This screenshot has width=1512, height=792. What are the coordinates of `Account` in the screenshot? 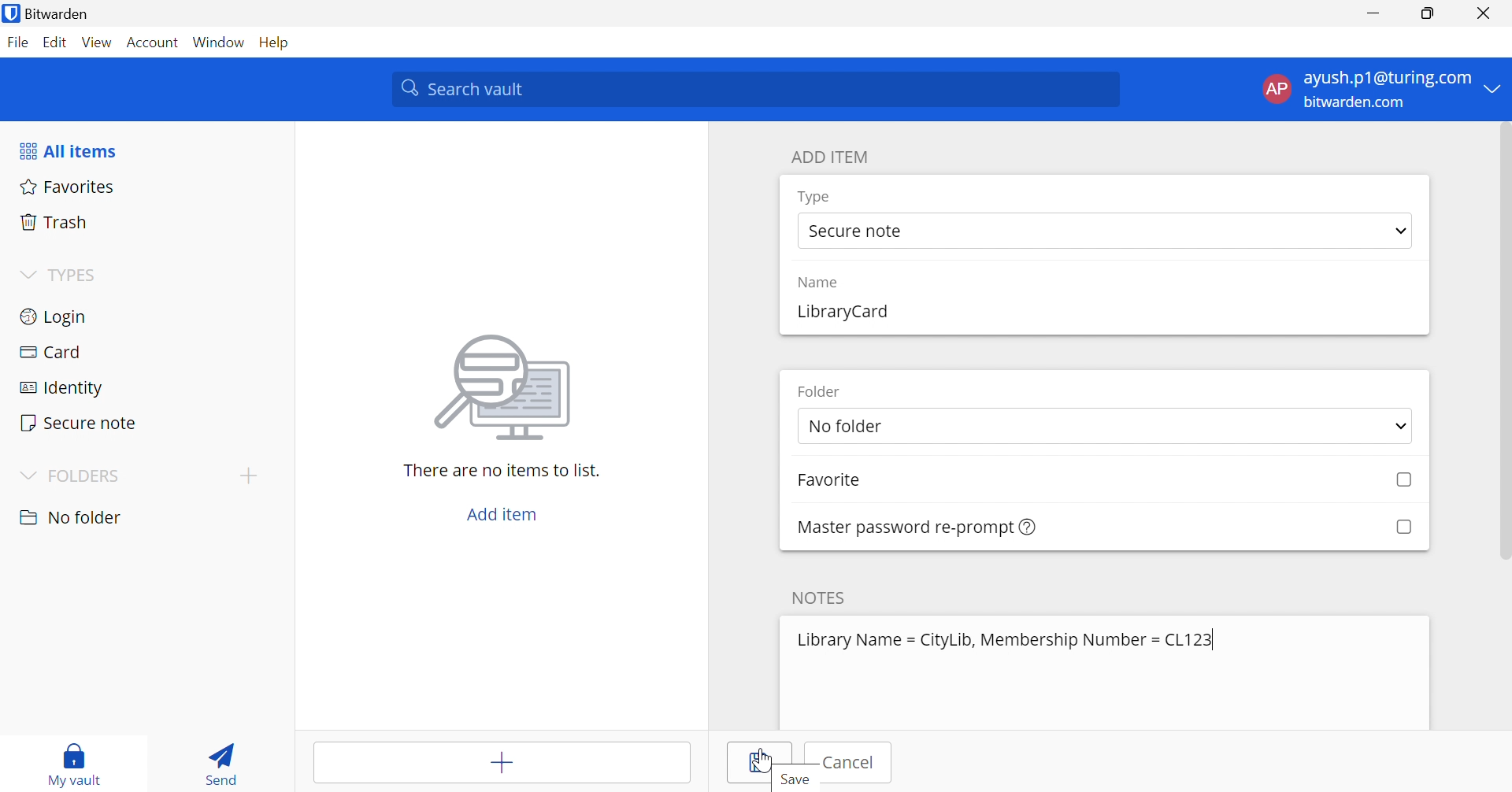 It's located at (154, 41).